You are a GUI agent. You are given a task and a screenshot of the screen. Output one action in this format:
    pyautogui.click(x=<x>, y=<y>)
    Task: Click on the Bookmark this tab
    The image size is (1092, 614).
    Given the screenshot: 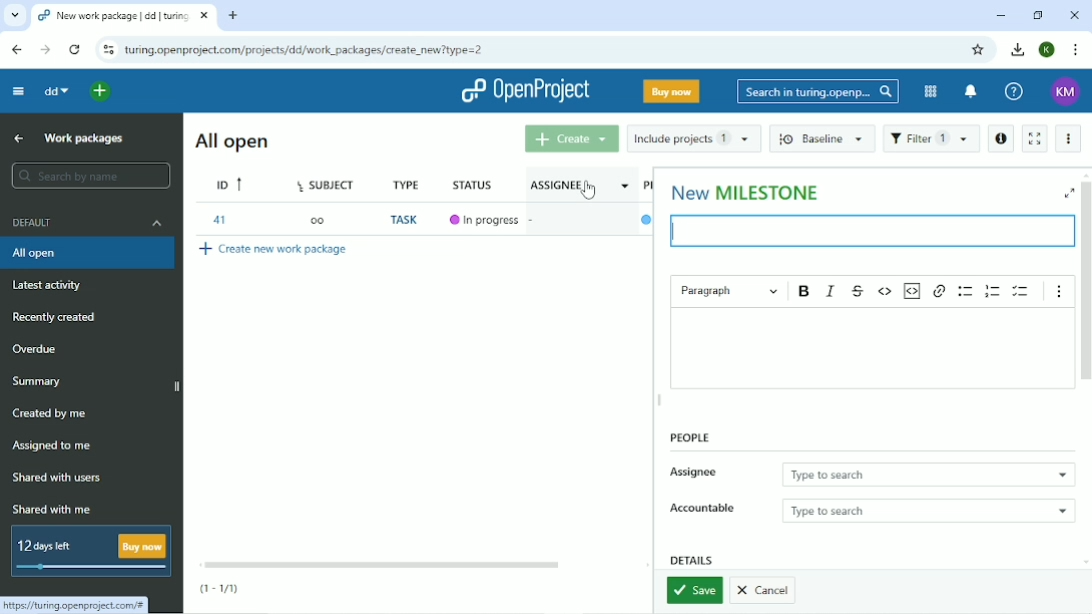 What is the action you would take?
    pyautogui.click(x=977, y=50)
    